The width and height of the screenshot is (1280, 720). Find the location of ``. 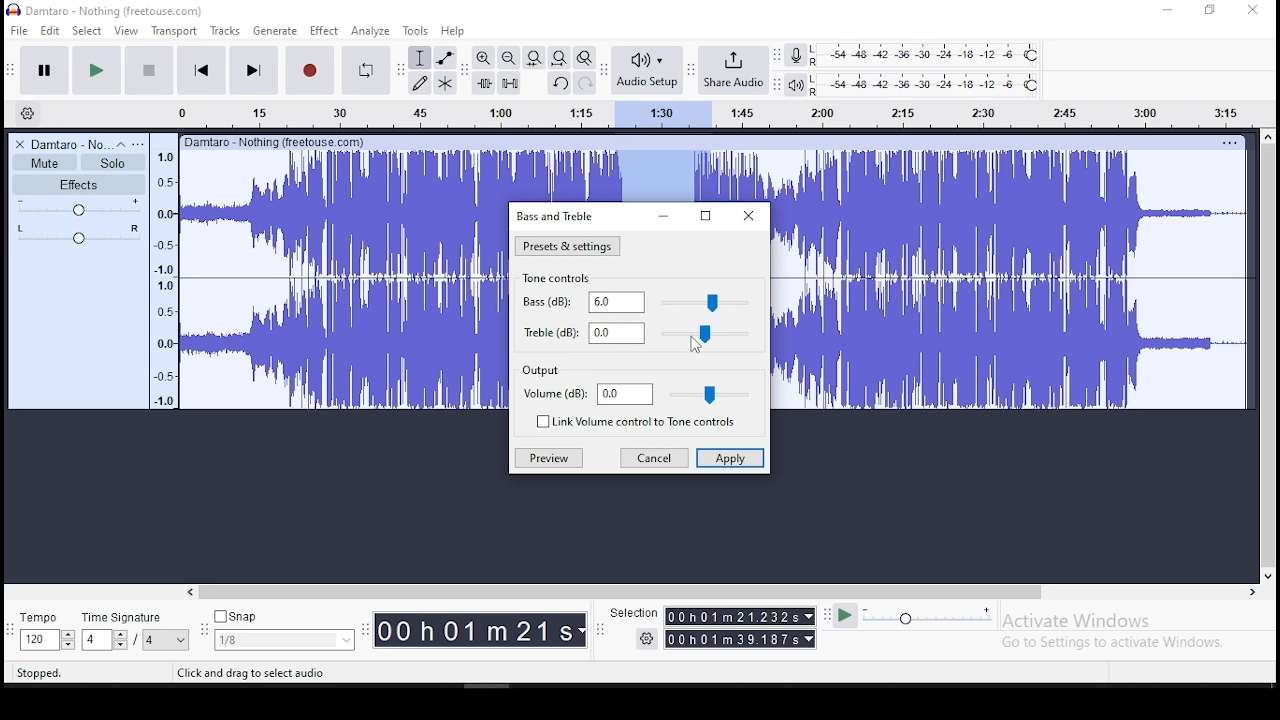

 is located at coordinates (465, 69).